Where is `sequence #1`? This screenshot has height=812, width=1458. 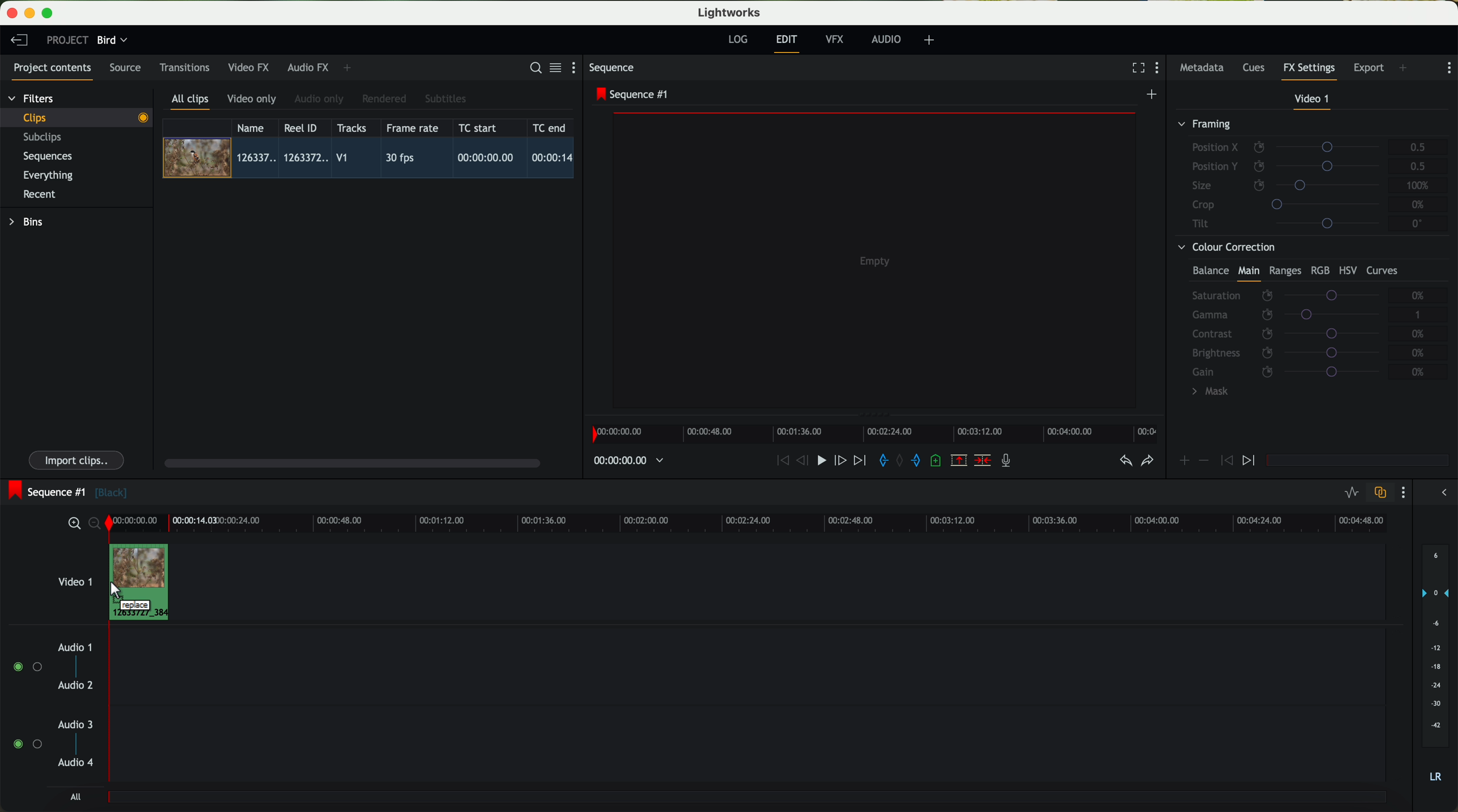 sequence #1 is located at coordinates (633, 94).